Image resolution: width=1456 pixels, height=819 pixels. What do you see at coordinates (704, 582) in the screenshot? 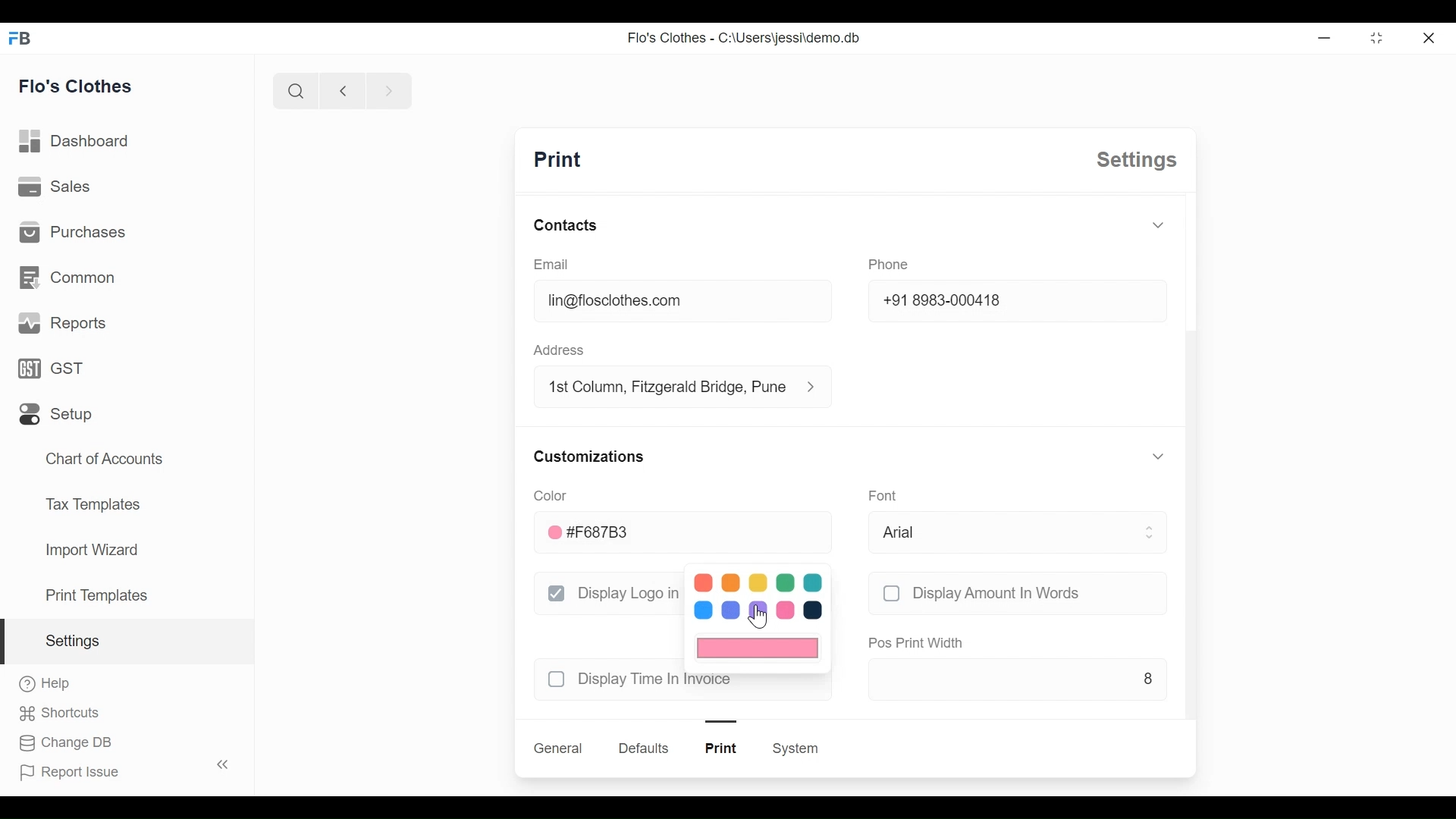
I see `color 1` at bounding box center [704, 582].